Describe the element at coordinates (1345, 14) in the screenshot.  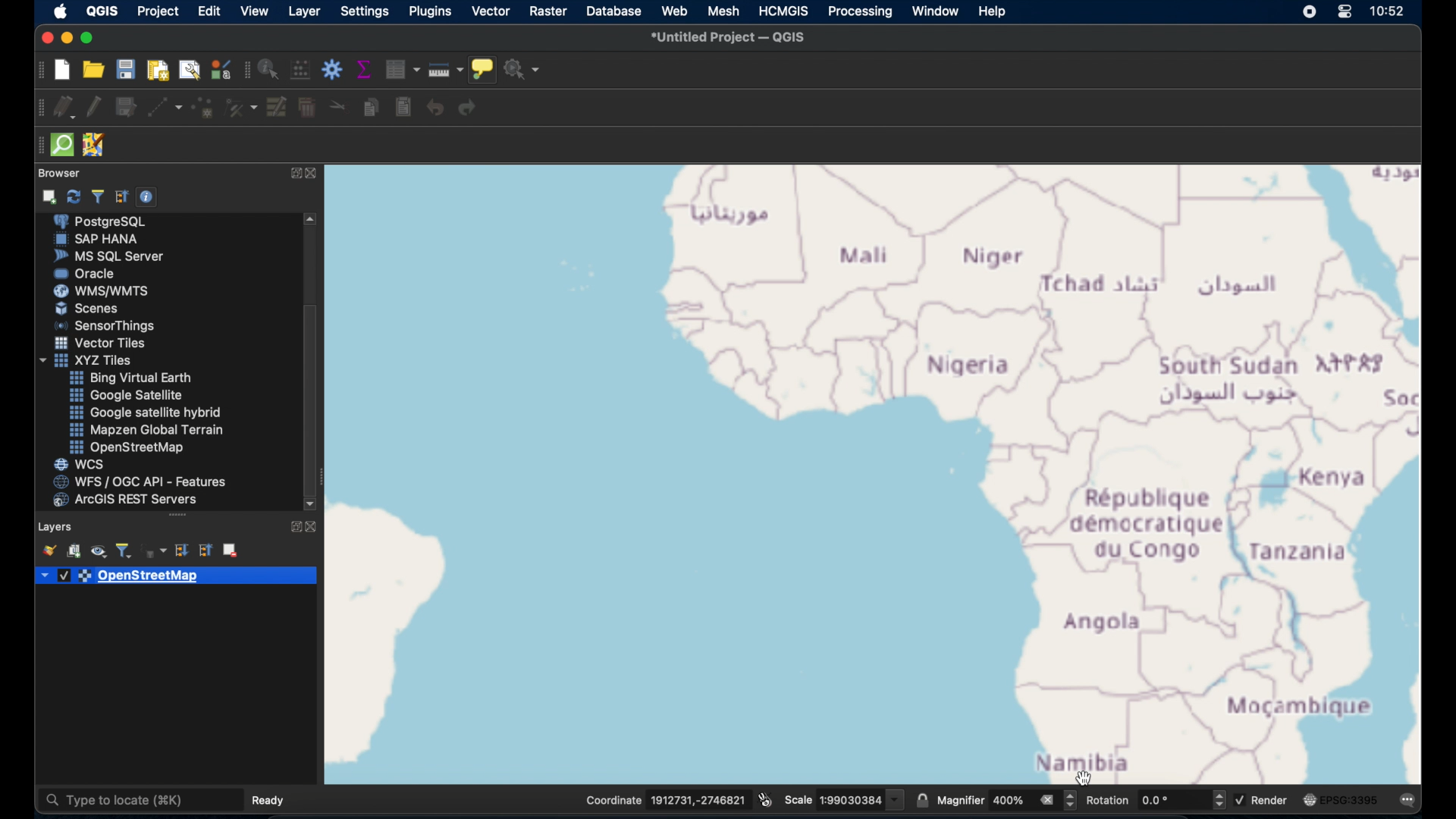
I see `control center` at that location.